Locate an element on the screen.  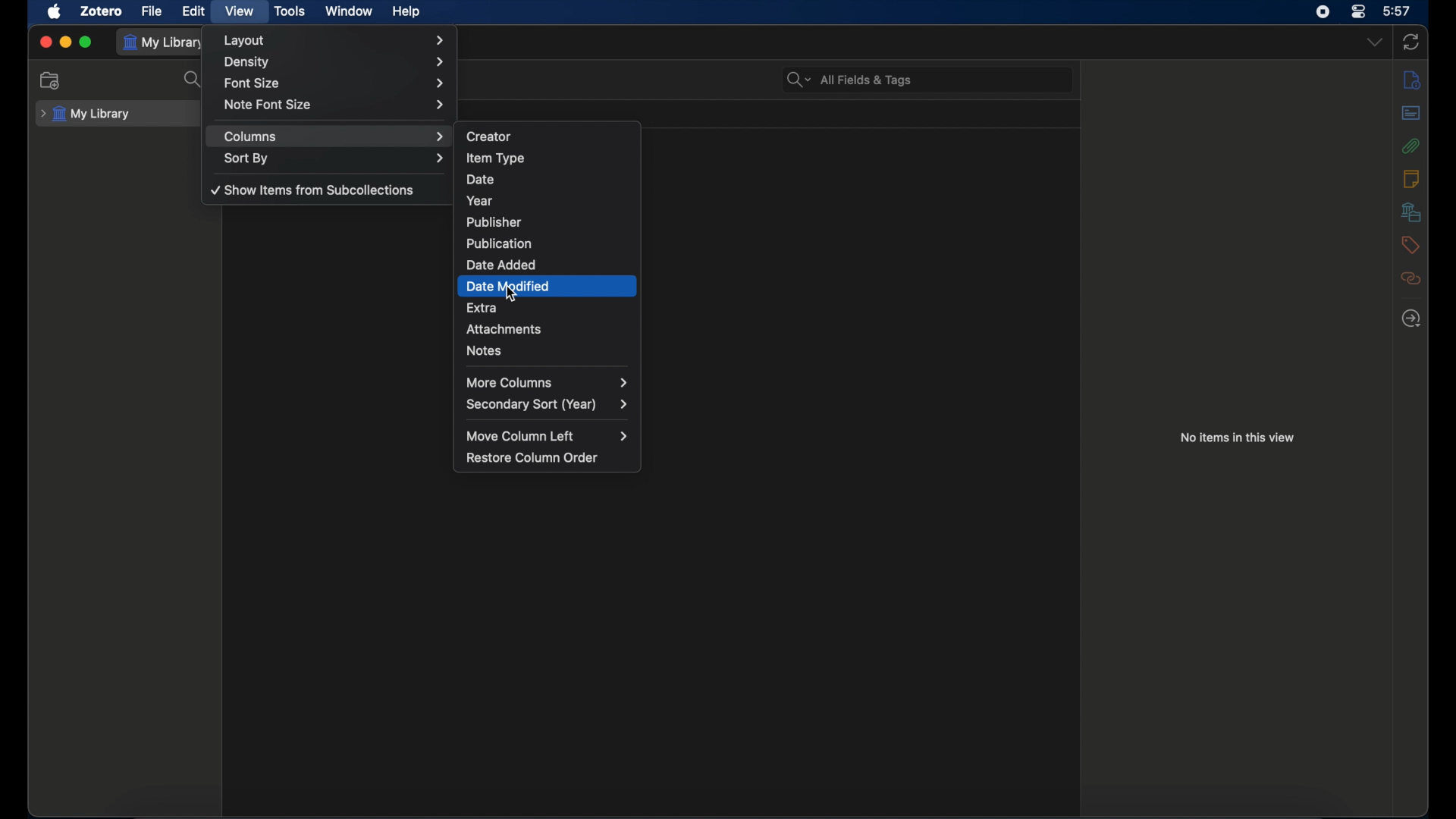
view is located at coordinates (238, 11).